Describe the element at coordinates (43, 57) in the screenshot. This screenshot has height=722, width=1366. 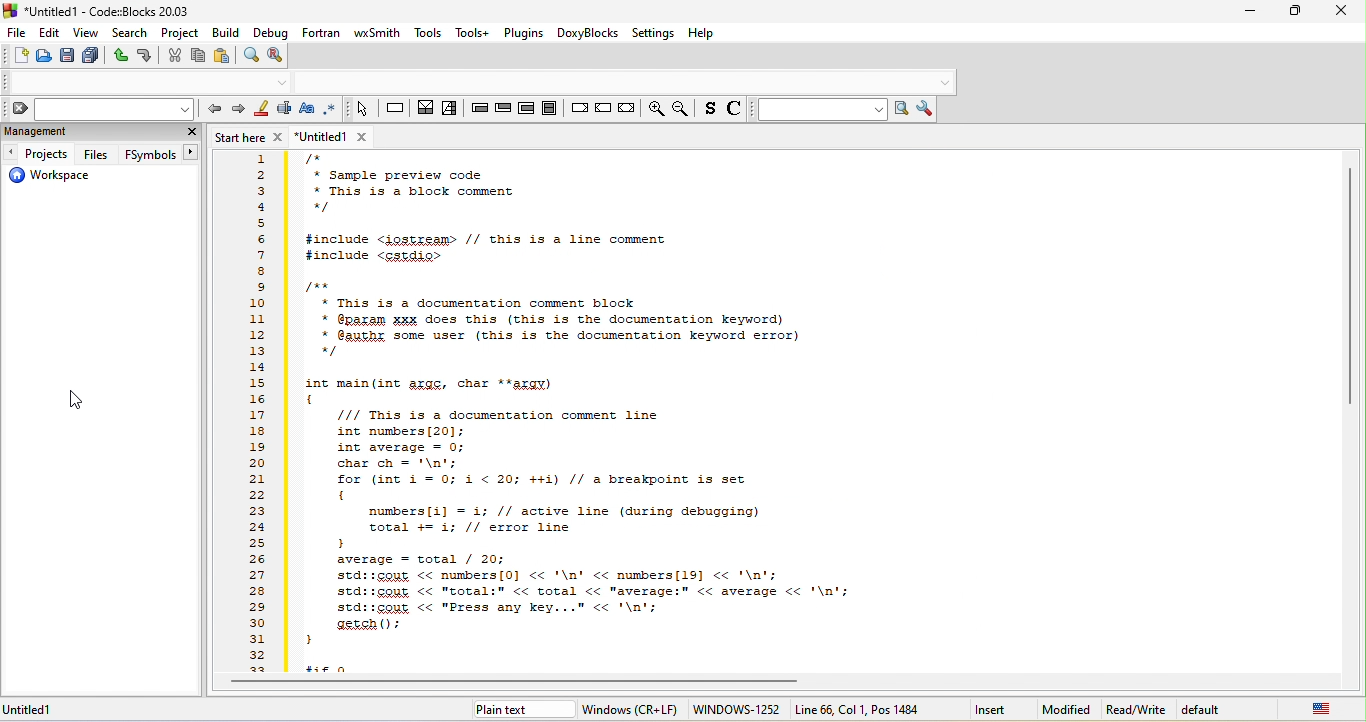
I see `open` at that location.